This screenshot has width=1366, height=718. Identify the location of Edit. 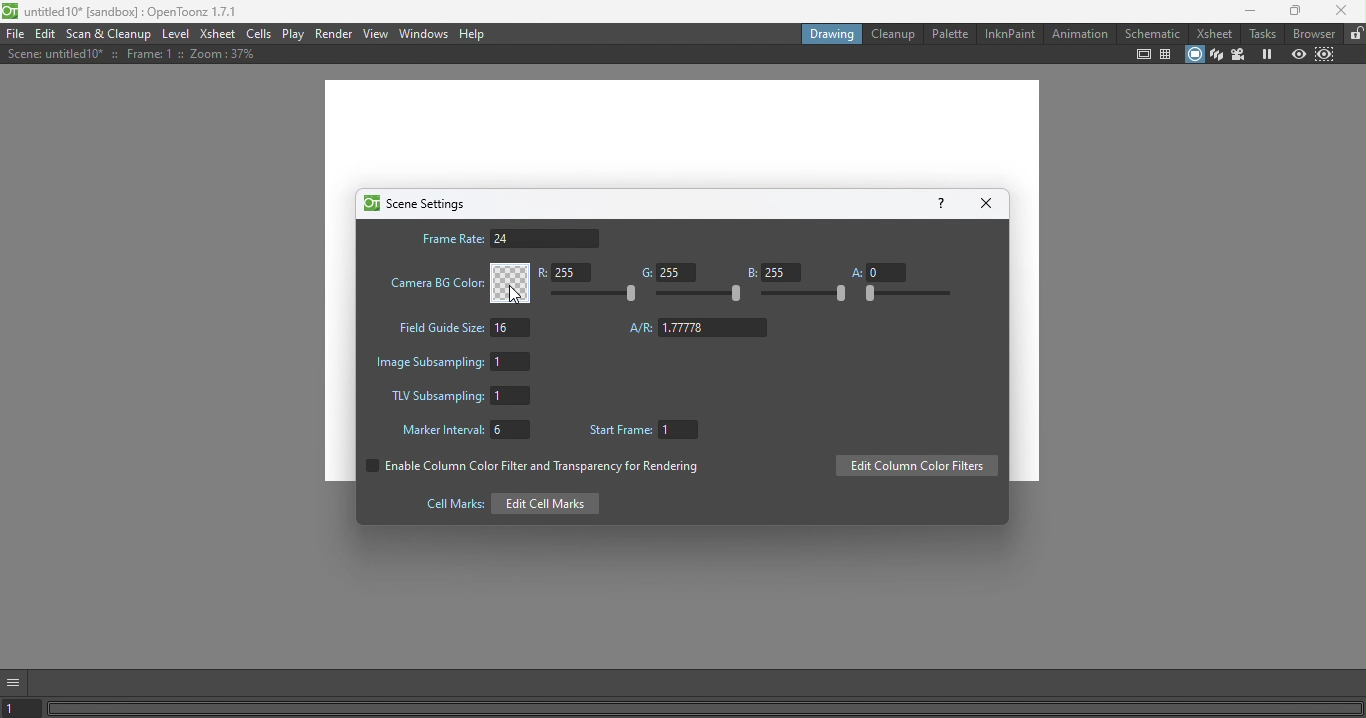
(48, 35).